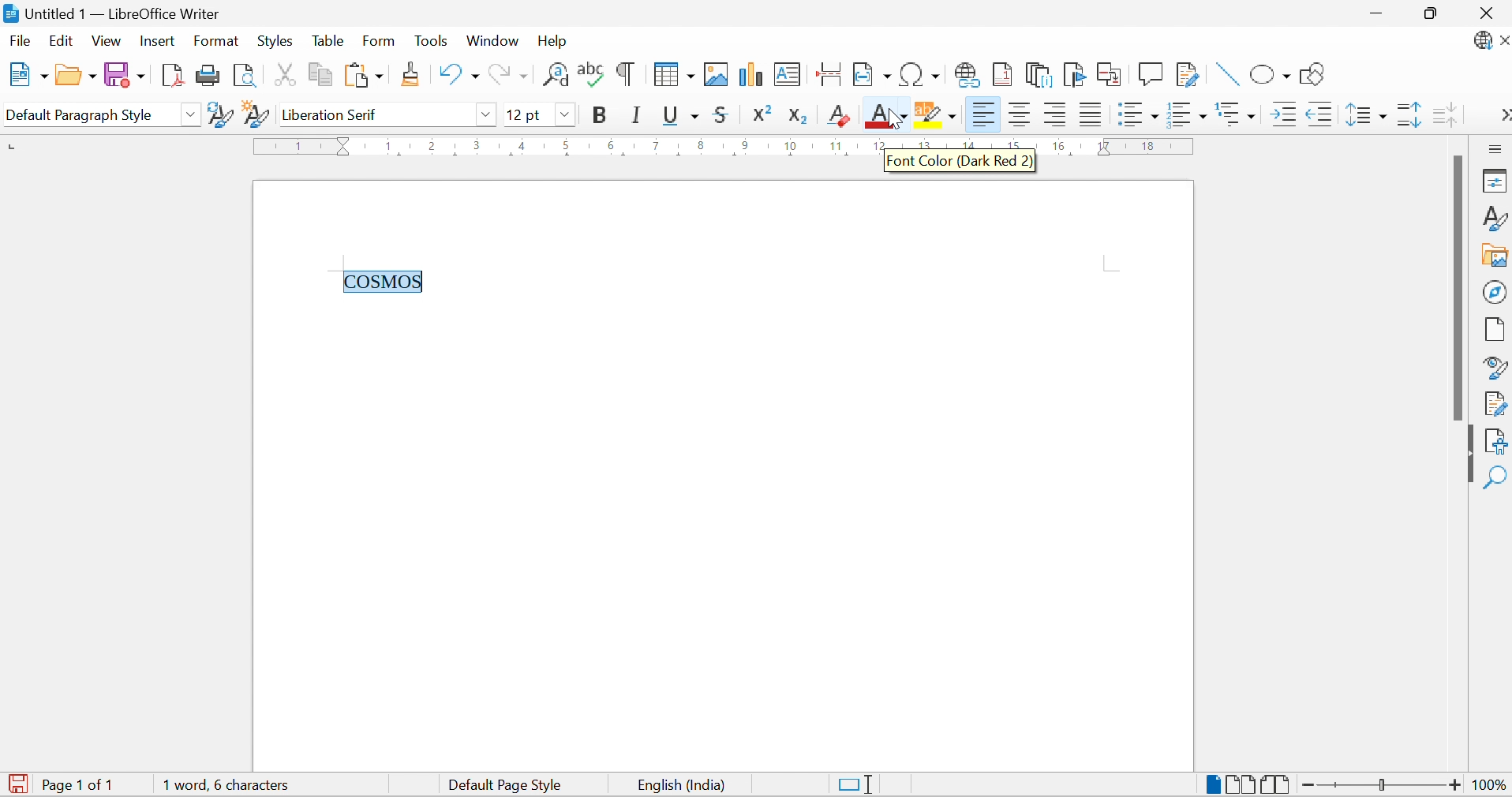 This screenshot has height=797, width=1512. I want to click on Align Center, so click(1023, 116).